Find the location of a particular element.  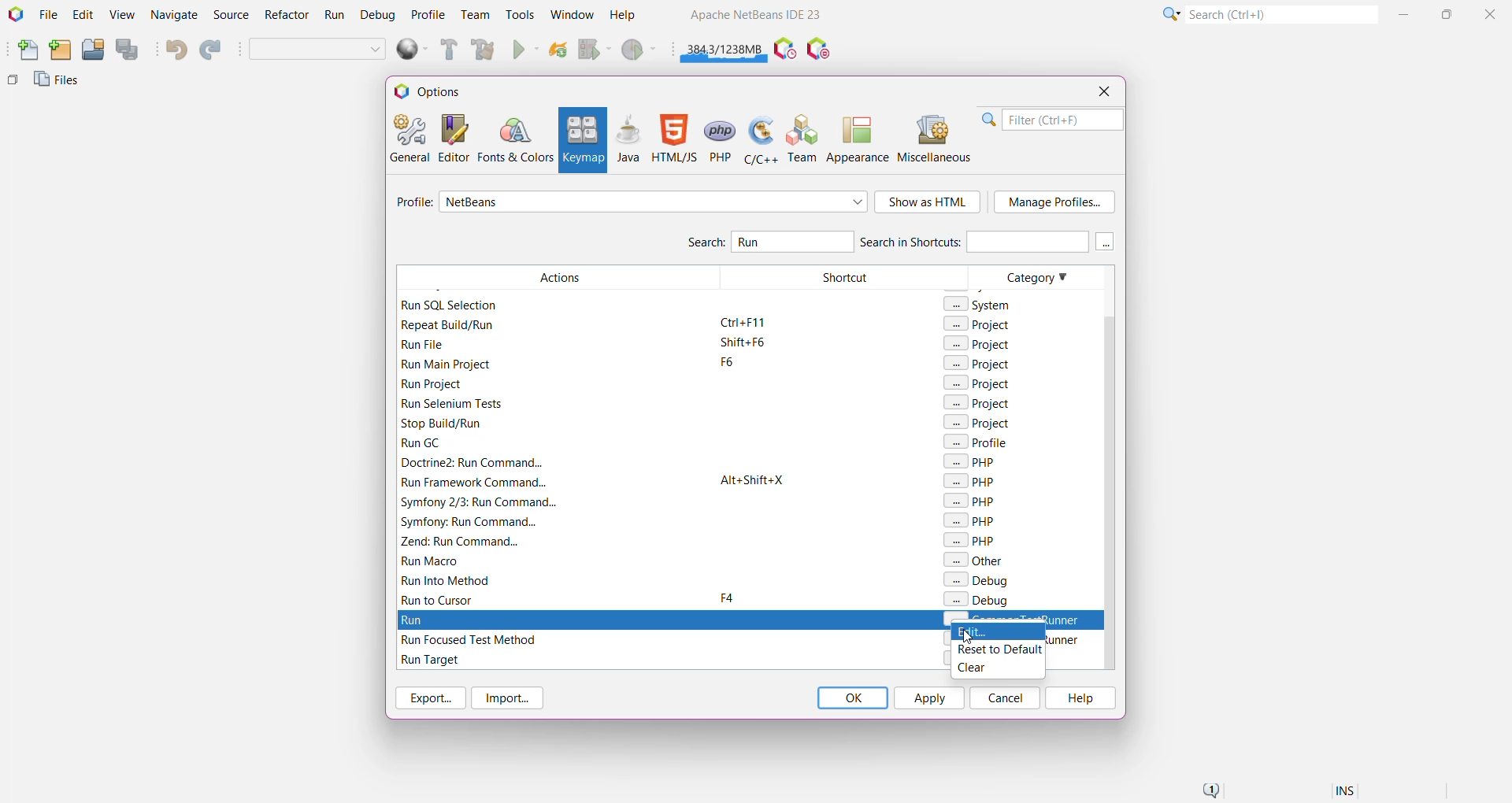

Type and Search for 'Run' Action is located at coordinates (793, 241).